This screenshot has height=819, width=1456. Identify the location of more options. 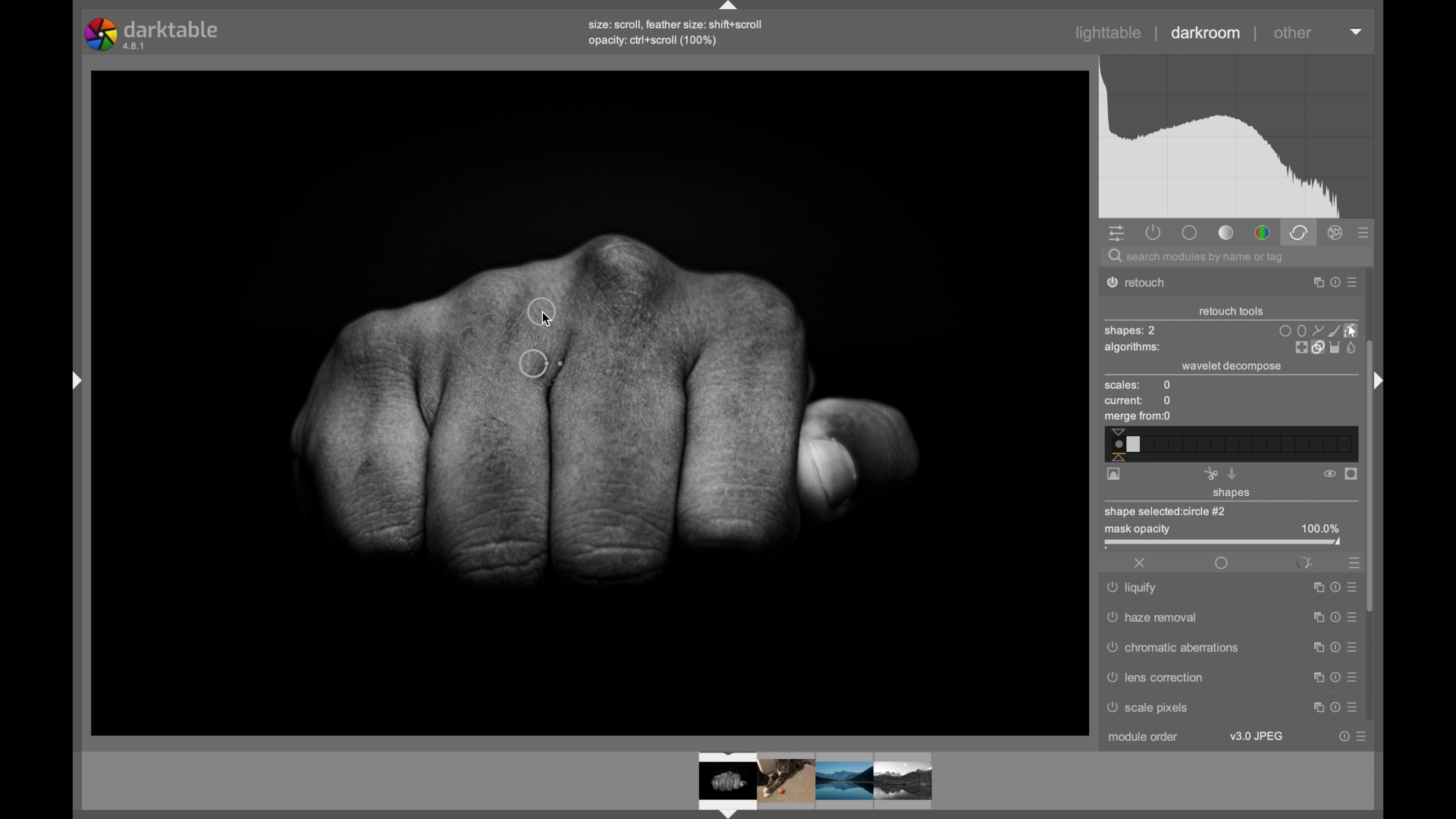
(1353, 284).